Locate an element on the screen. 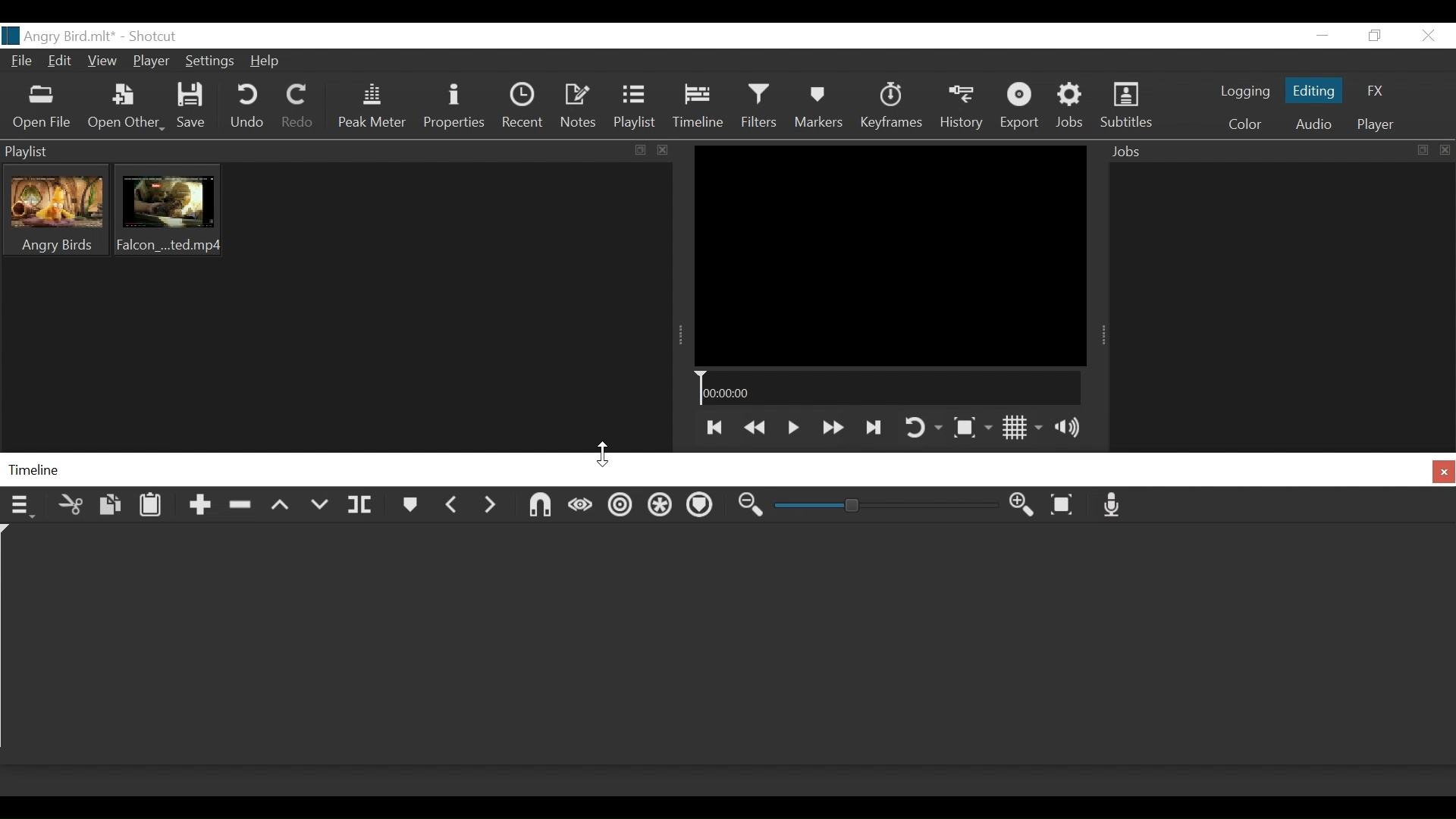  FX is located at coordinates (1373, 91).